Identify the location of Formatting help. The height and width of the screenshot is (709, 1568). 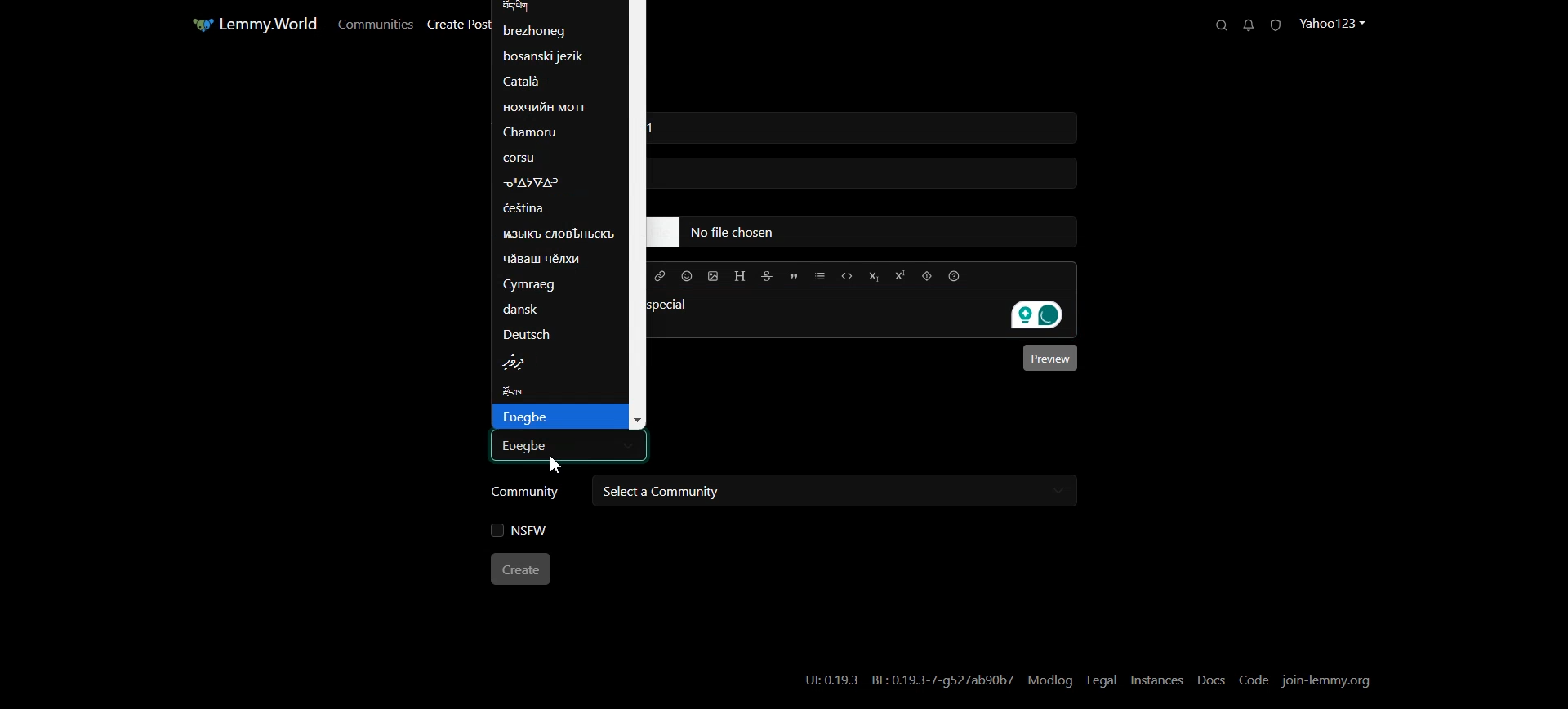
(954, 275).